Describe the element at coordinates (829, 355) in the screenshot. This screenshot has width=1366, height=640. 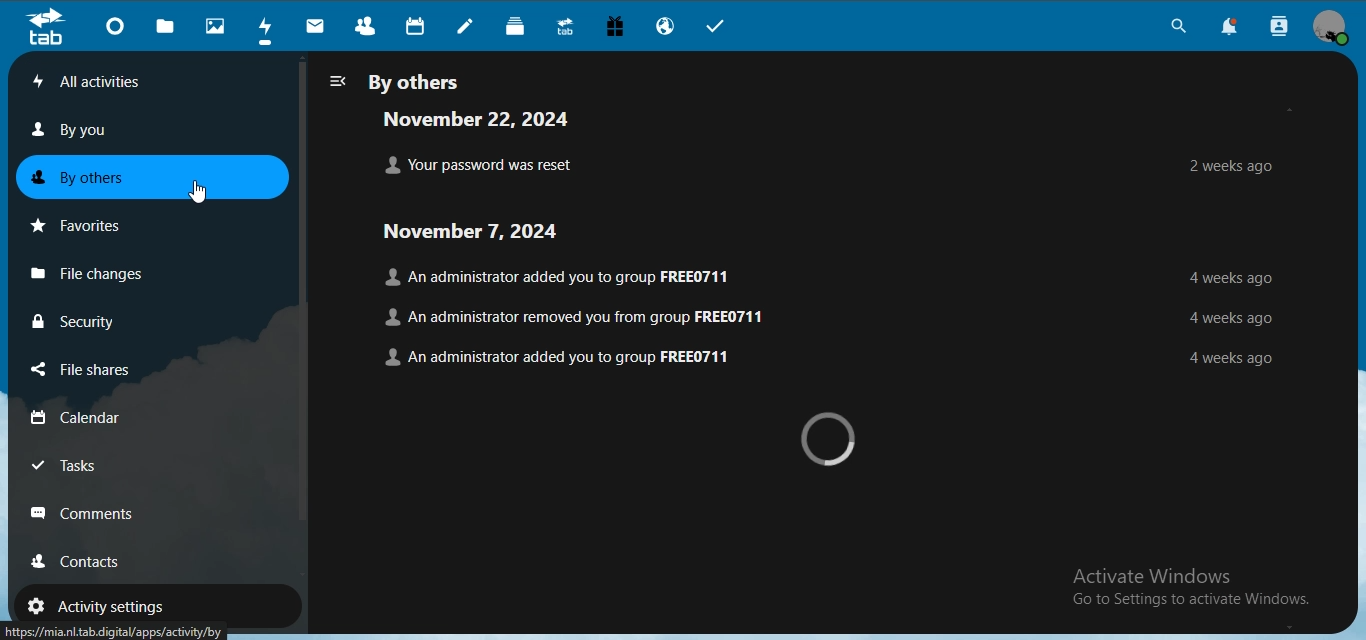
I see `An administrator added you to group FREEO711 4 weeks ago` at that location.